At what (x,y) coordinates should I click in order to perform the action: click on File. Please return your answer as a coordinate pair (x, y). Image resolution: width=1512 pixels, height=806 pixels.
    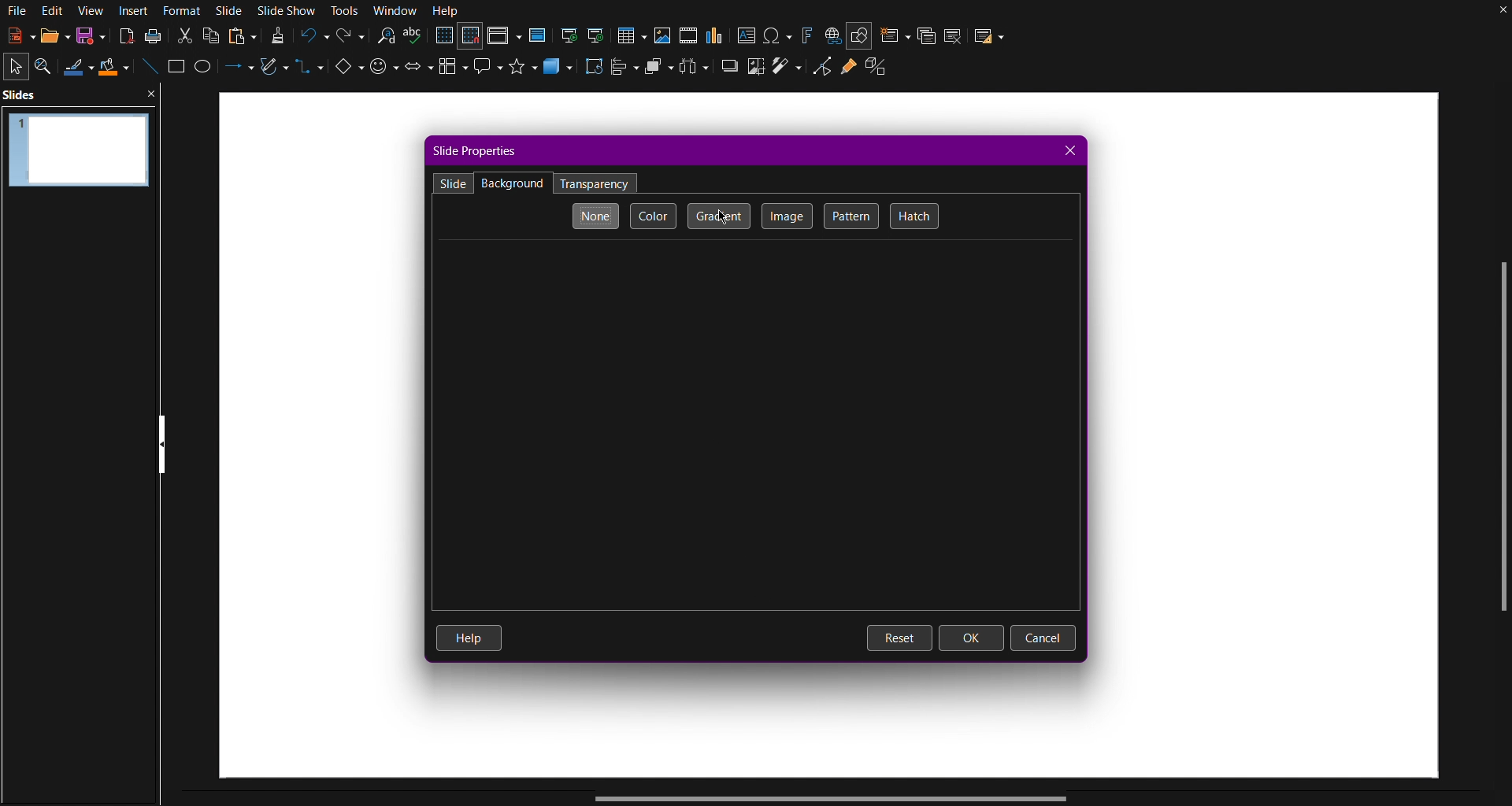
    Looking at the image, I should click on (16, 11).